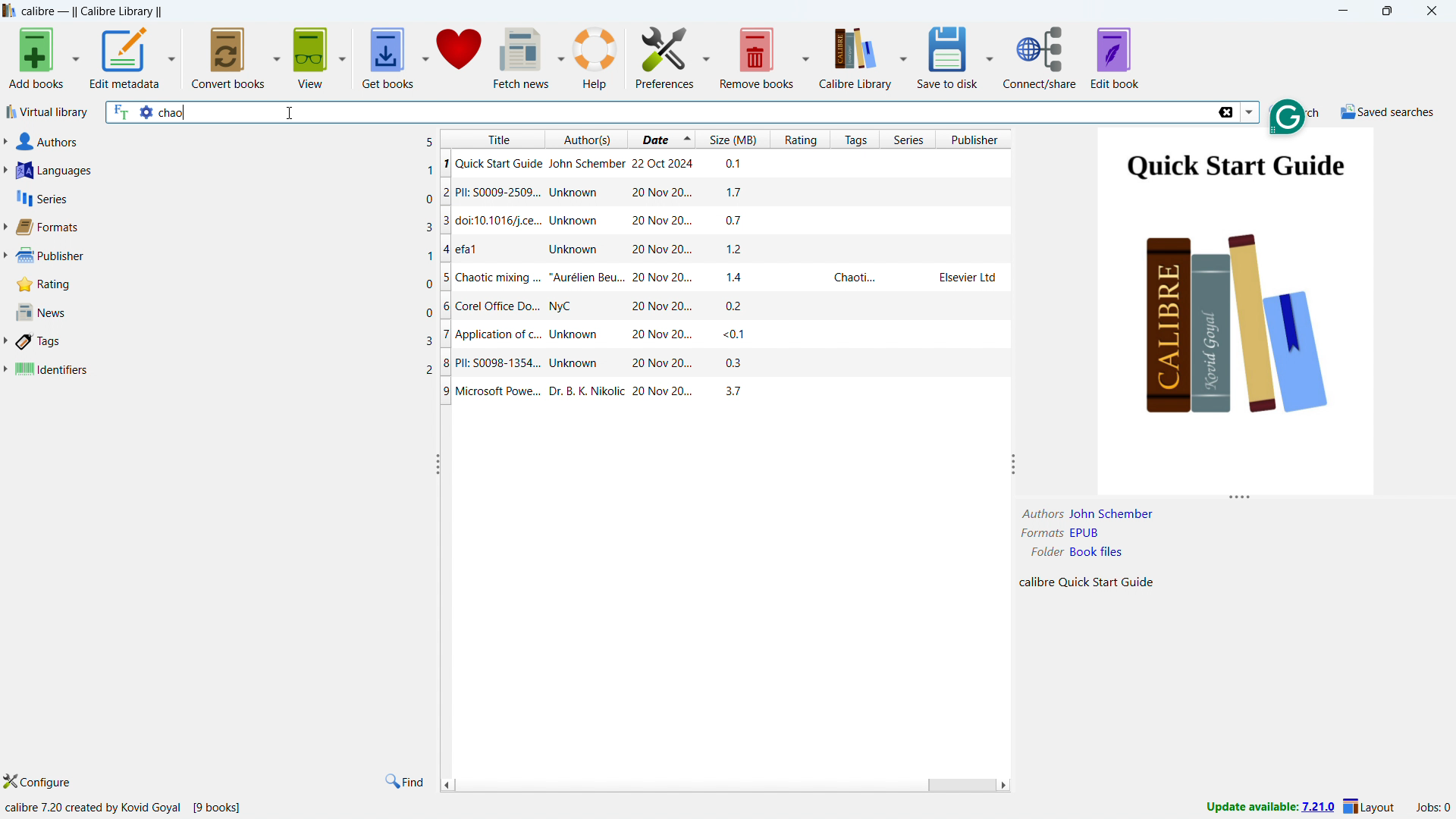  I want to click on view, so click(312, 57).